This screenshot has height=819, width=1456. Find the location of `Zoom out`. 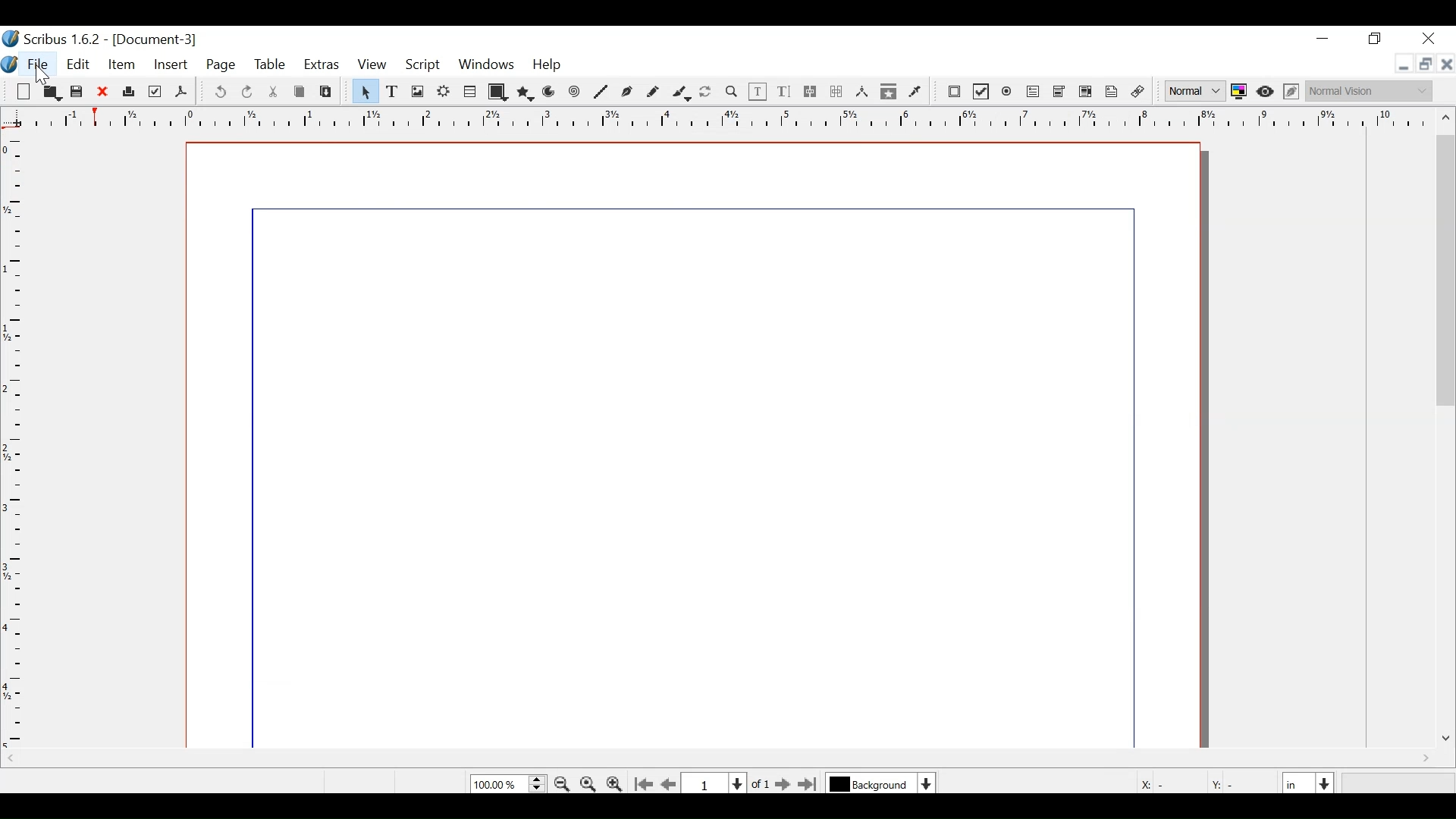

Zoom out is located at coordinates (616, 784).